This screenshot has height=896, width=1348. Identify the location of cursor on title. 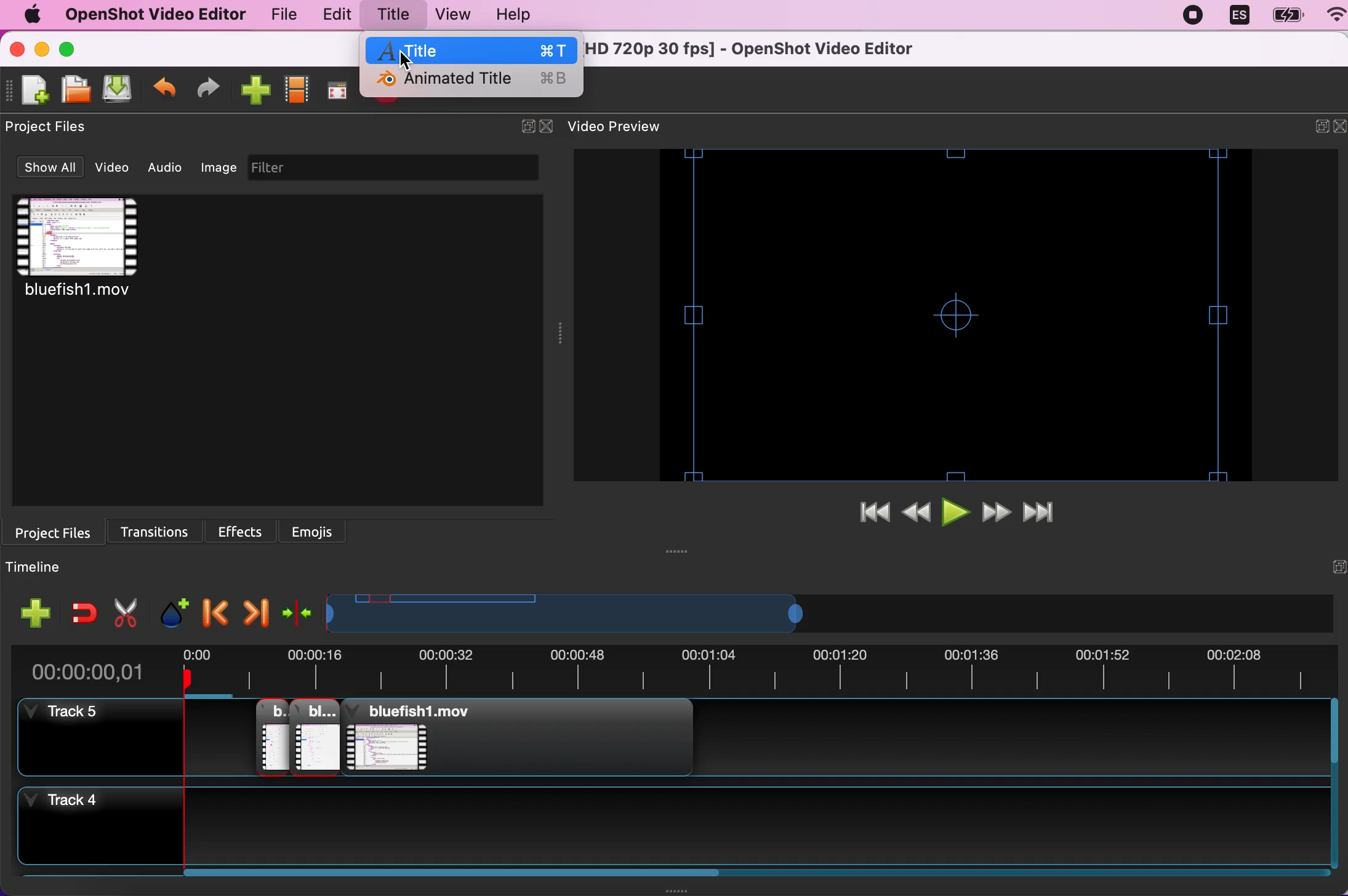
(406, 61).